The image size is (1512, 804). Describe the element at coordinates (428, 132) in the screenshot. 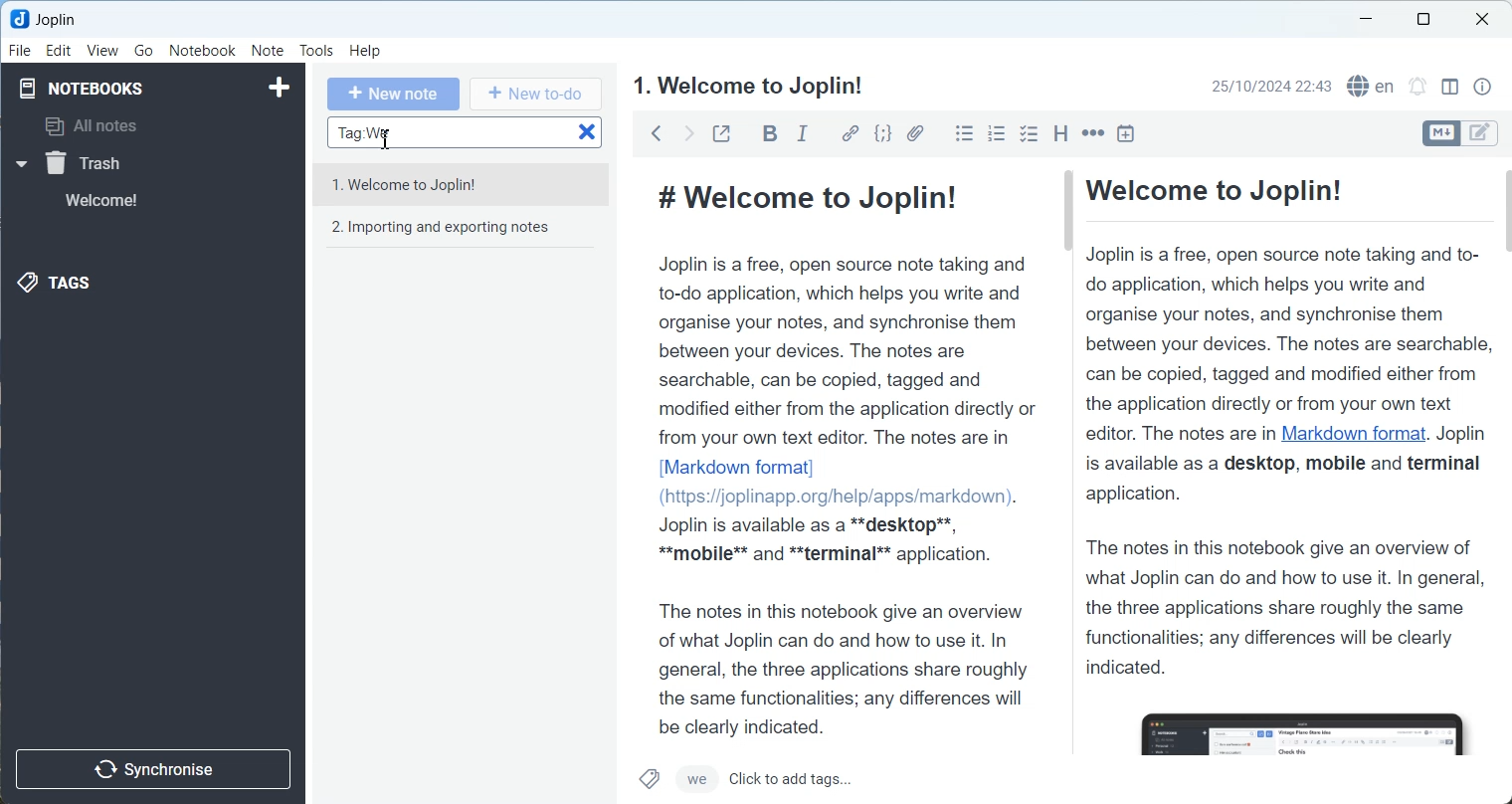

I see `Applied Filter for Tag :WE` at that location.